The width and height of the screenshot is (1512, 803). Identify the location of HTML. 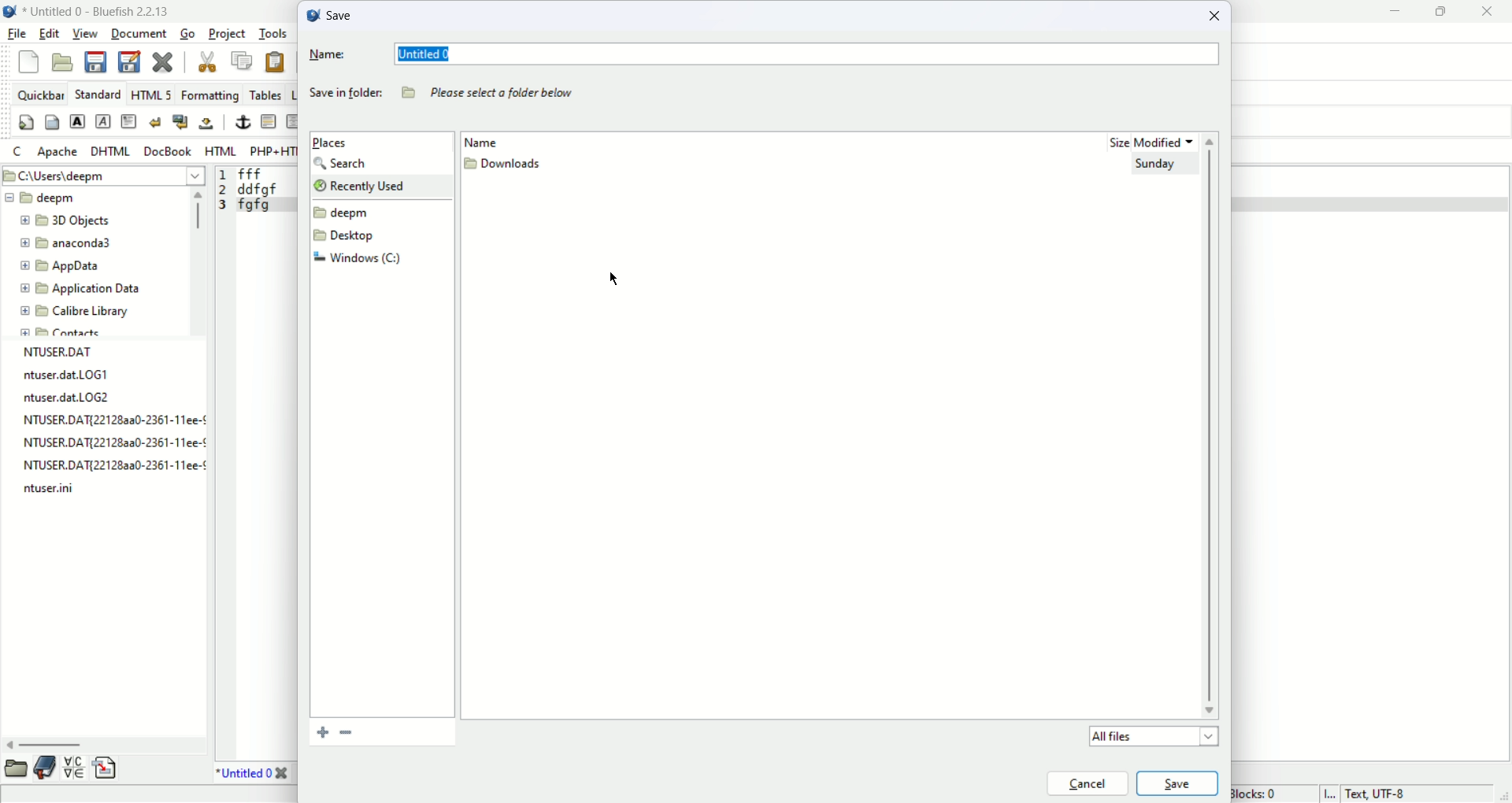
(220, 150).